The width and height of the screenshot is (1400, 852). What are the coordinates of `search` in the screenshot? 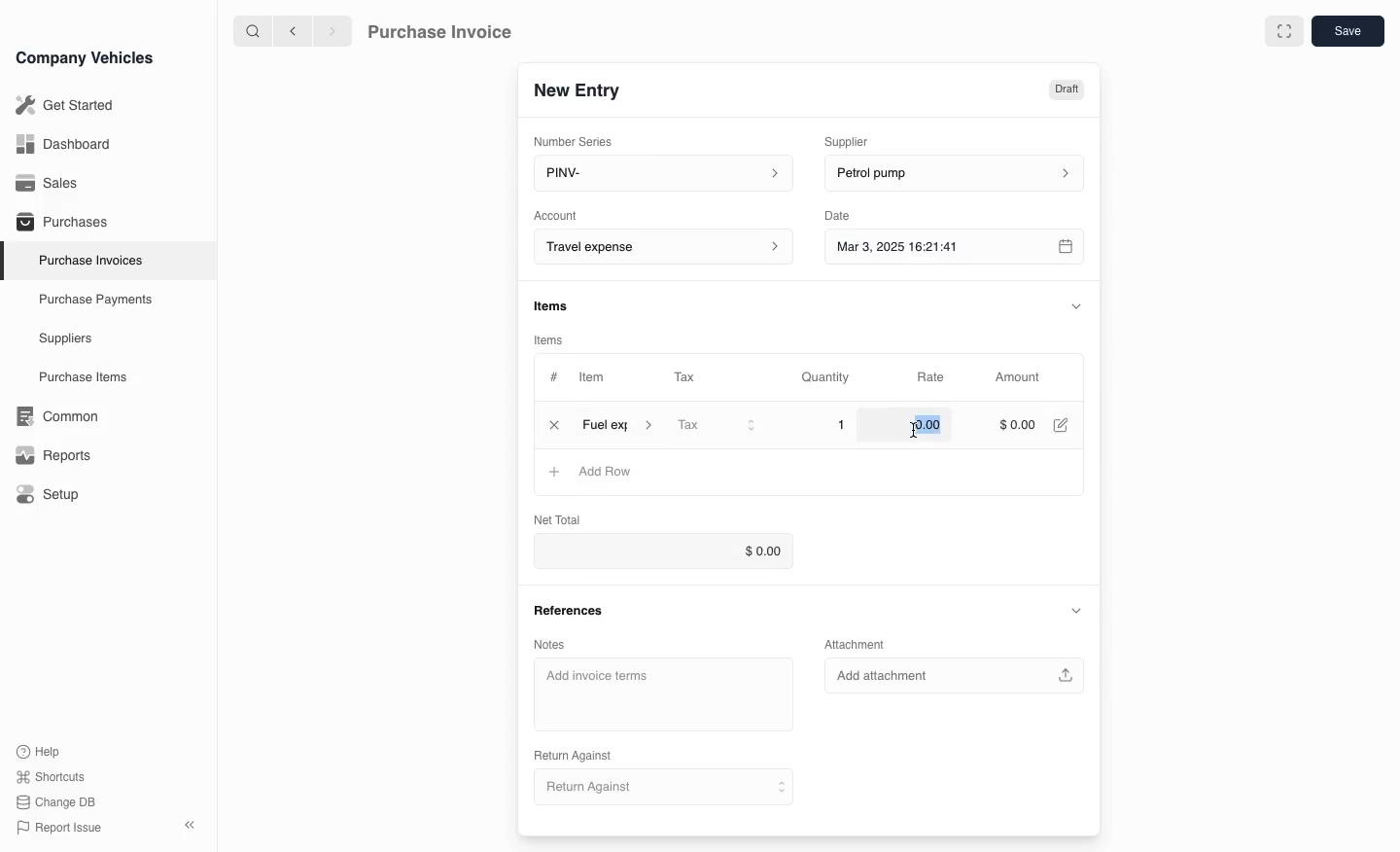 It's located at (254, 30).